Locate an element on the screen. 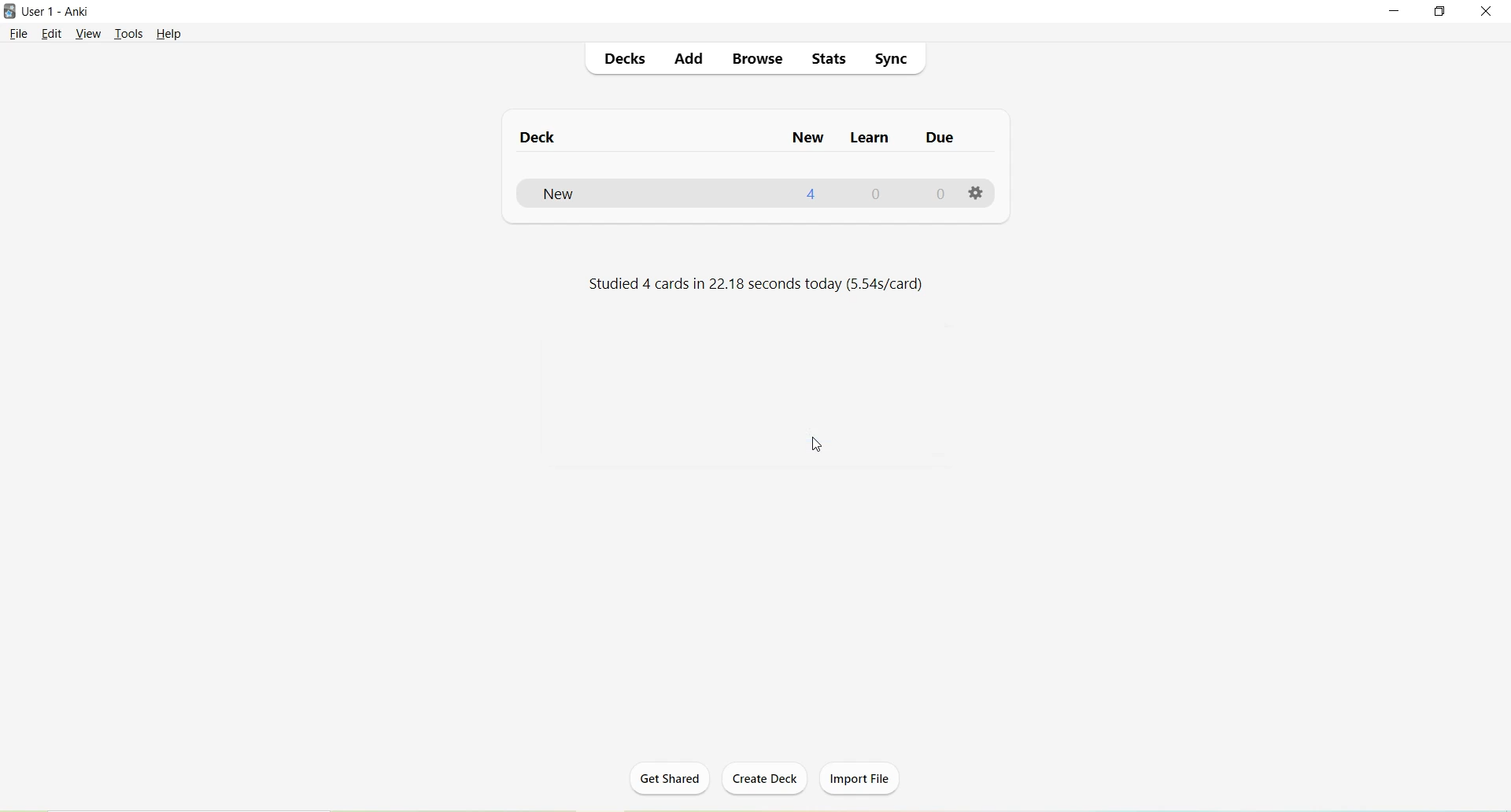 This screenshot has width=1511, height=812. 4 is located at coordinates (812, 194).